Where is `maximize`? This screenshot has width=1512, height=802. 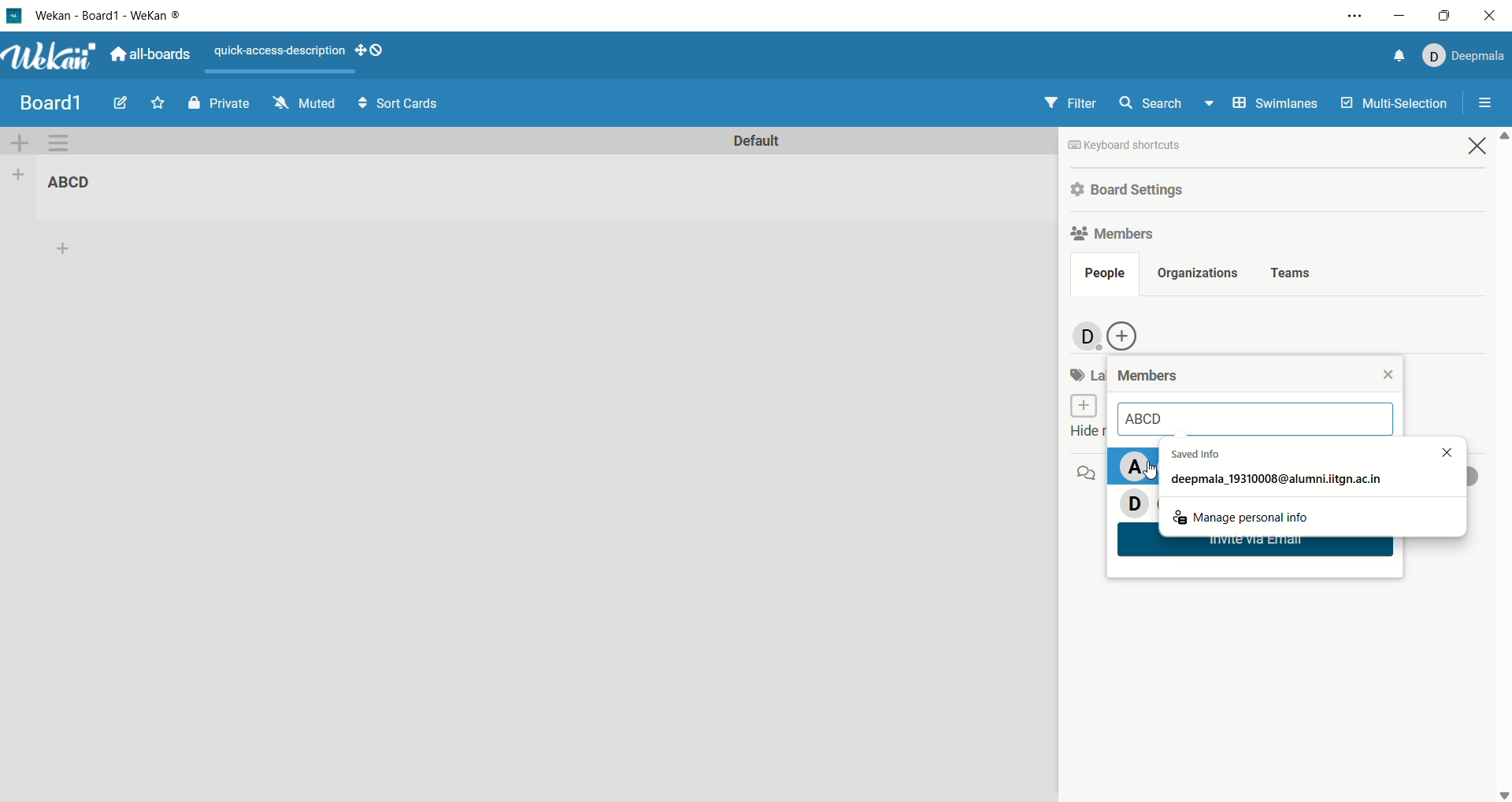 maximize is located at coordinates (1443, 16).